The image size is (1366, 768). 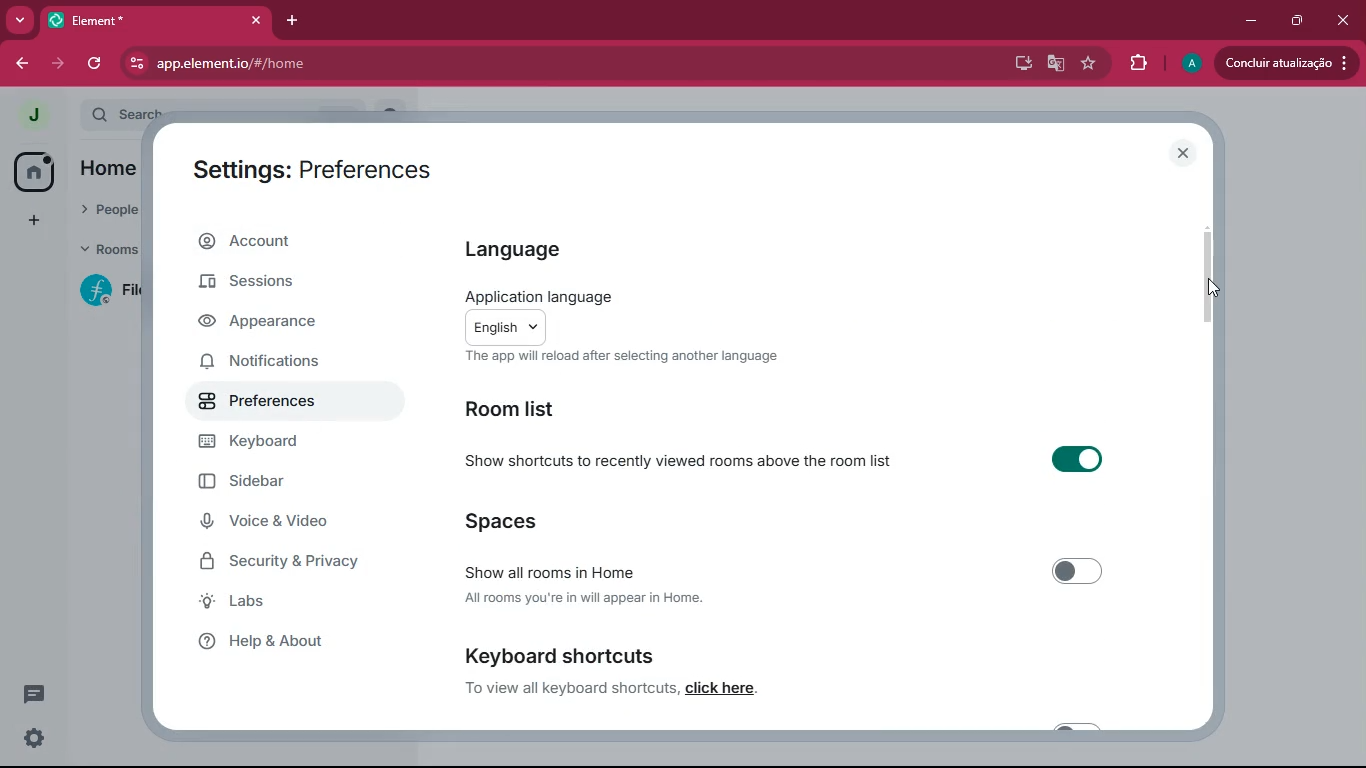 I want to click on add, so click(x=30, y=222).